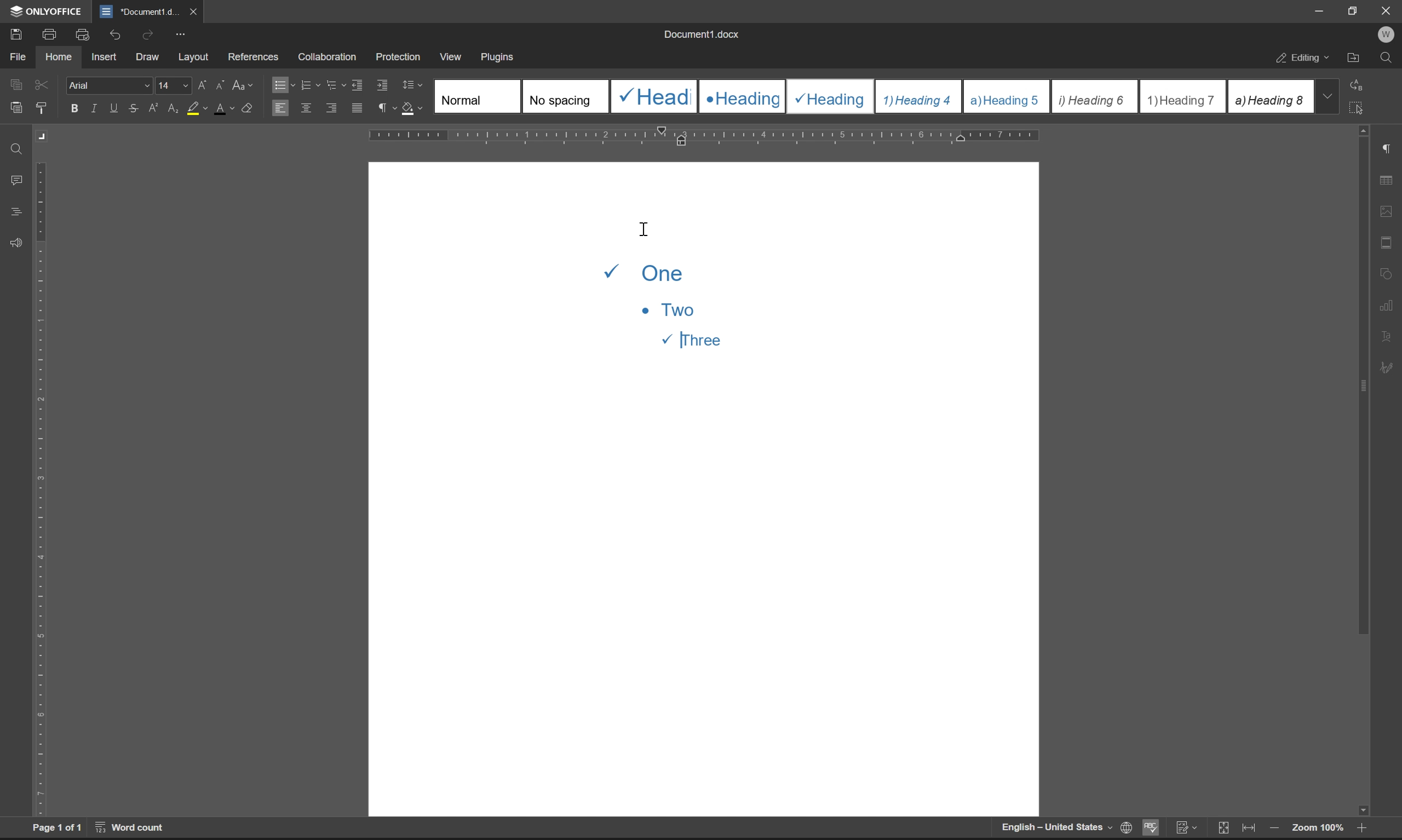  Describe the element at coordinates (417, 85) in the screenshot. I see `Line spacing` at that location.